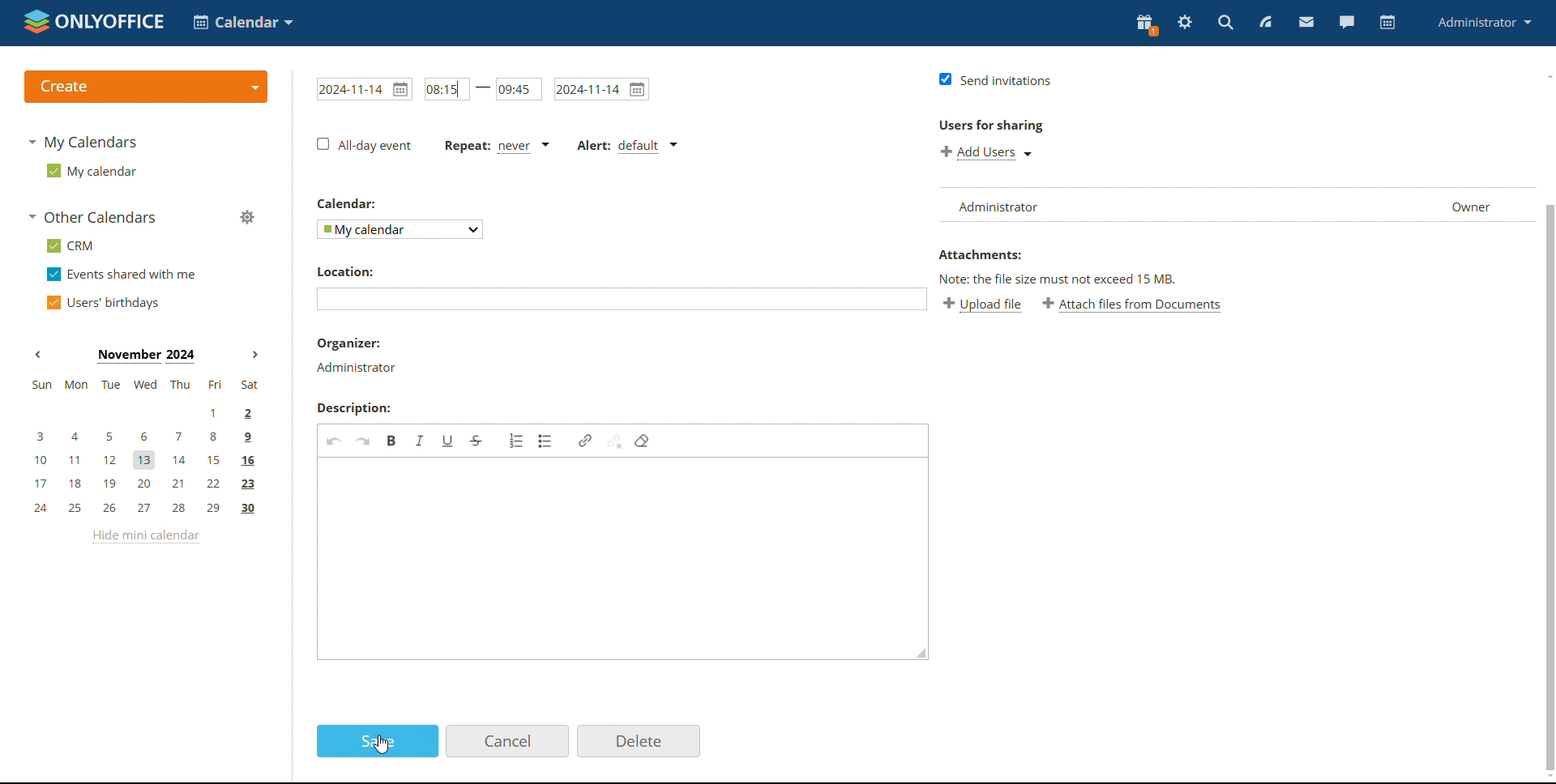 The image size is (1556, 784). Describe the element at coordinates (344, 271) in the screenshot. I see `location` at that location.